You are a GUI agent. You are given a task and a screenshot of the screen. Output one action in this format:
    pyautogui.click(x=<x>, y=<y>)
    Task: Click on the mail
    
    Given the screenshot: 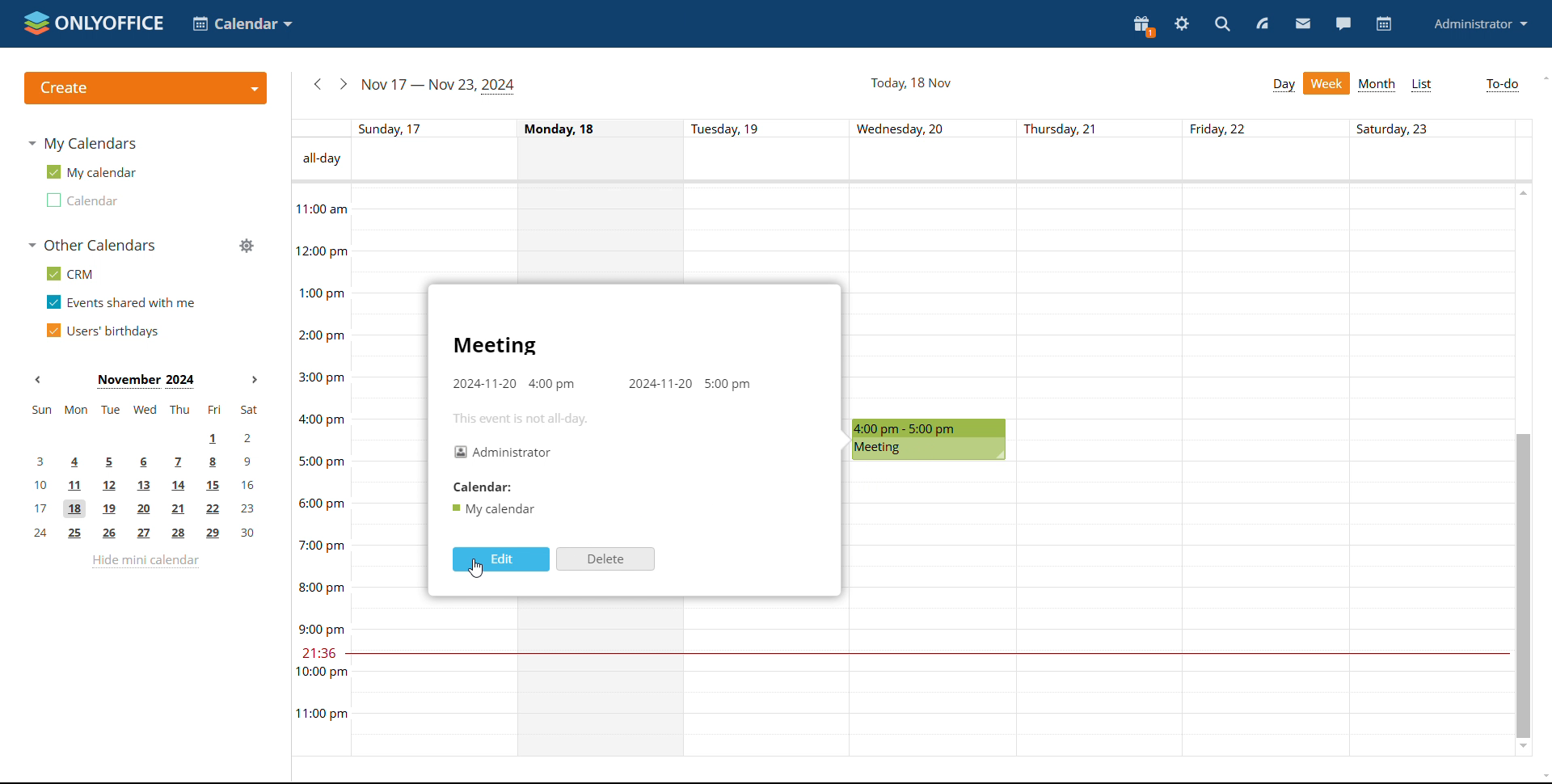 What is the action you would take?
    pyautogui.click(x=1303, y=25)
    